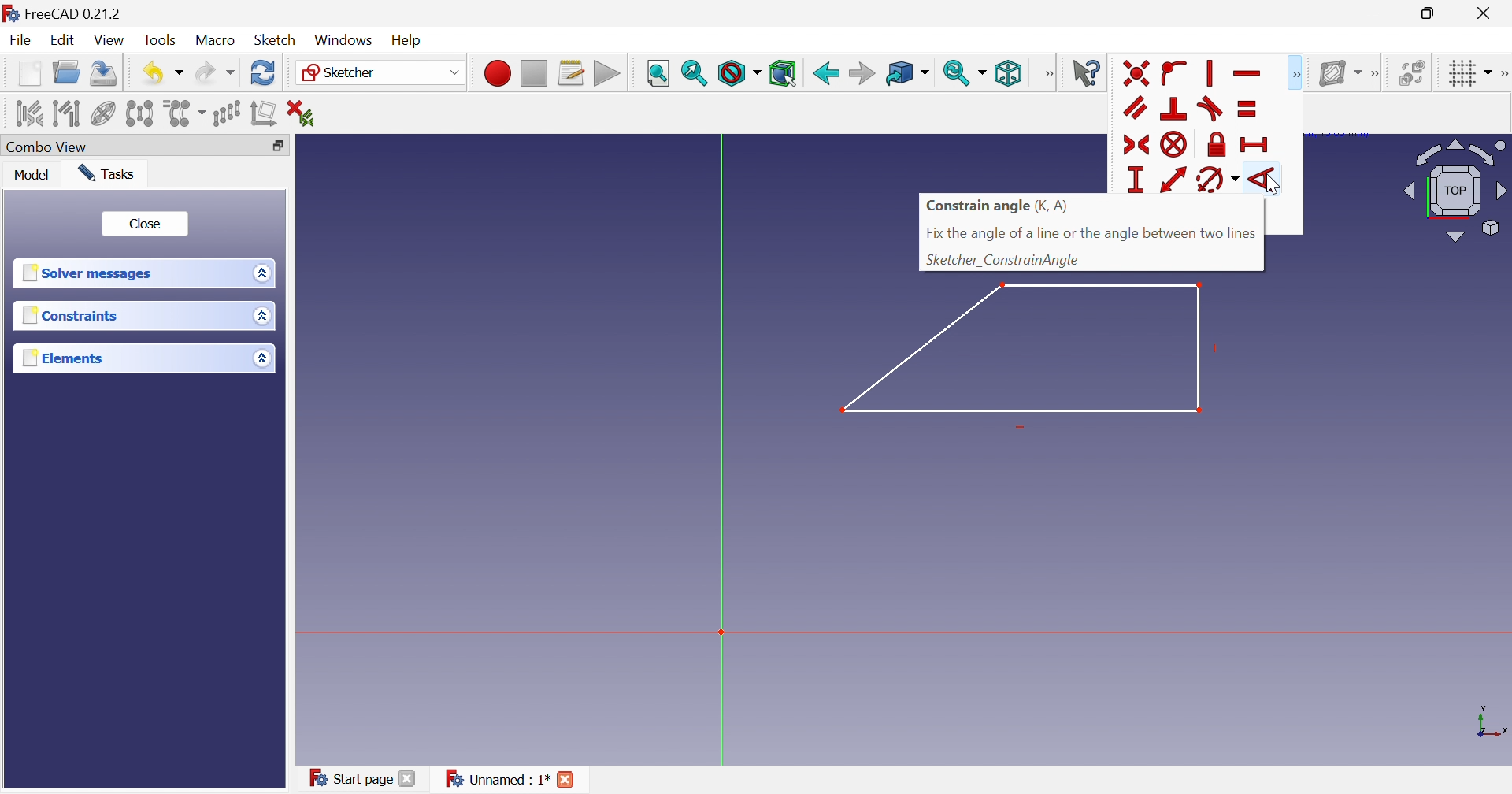  Describe the element at coordinates (344, 40) in the screenshot. I see `Windows` at that location.